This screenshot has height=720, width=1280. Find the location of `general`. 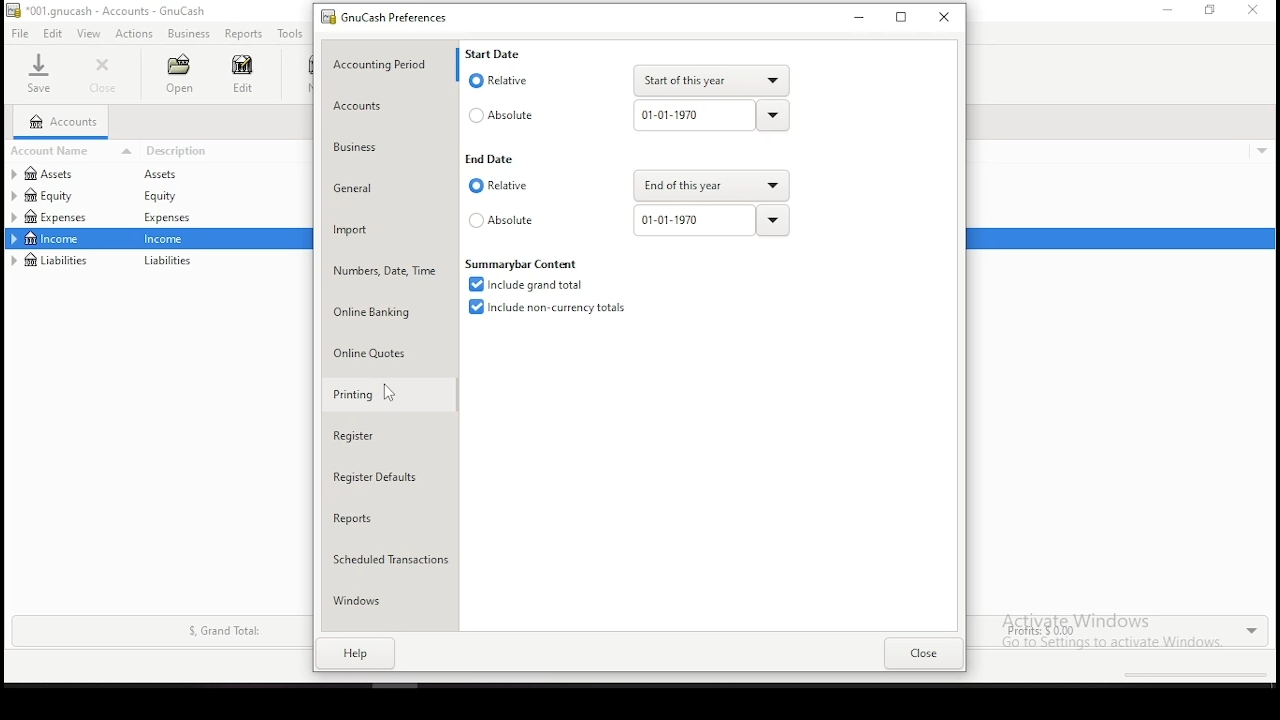

general is located at coordinates (360, 189).